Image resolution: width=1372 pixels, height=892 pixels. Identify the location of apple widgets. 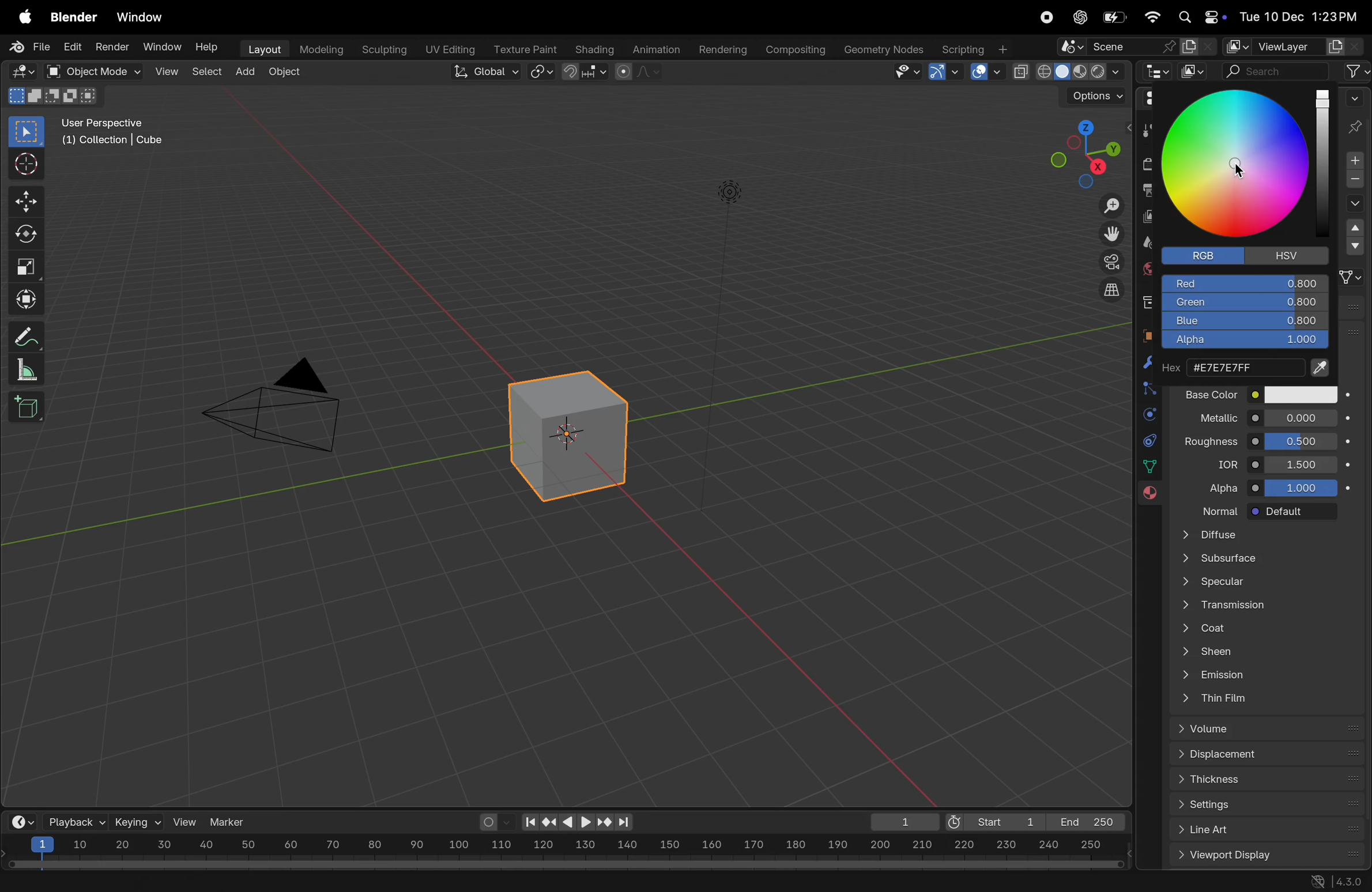
(1199, 17).